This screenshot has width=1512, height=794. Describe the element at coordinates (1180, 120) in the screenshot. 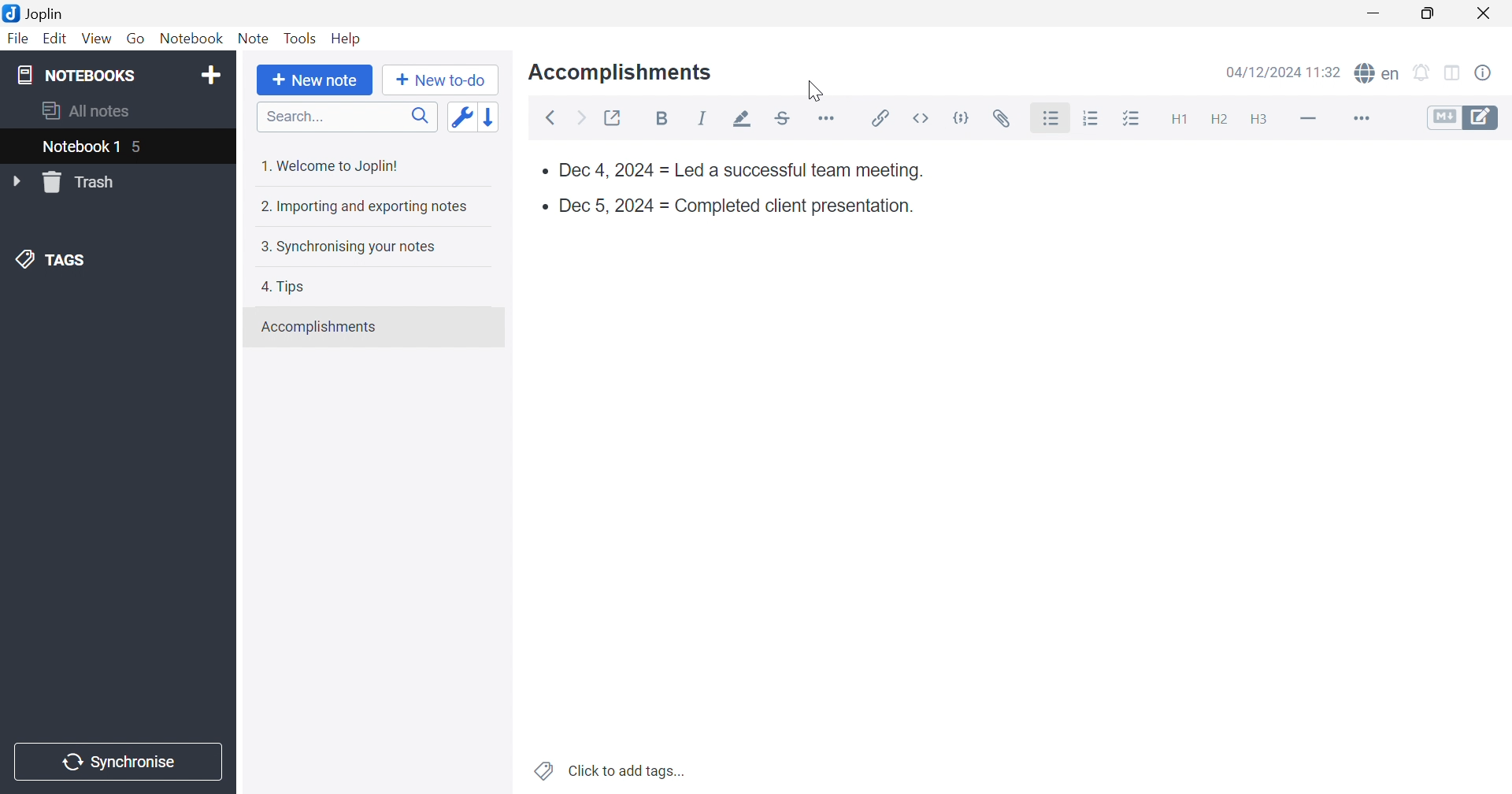

I see `Heading 1` at that location.